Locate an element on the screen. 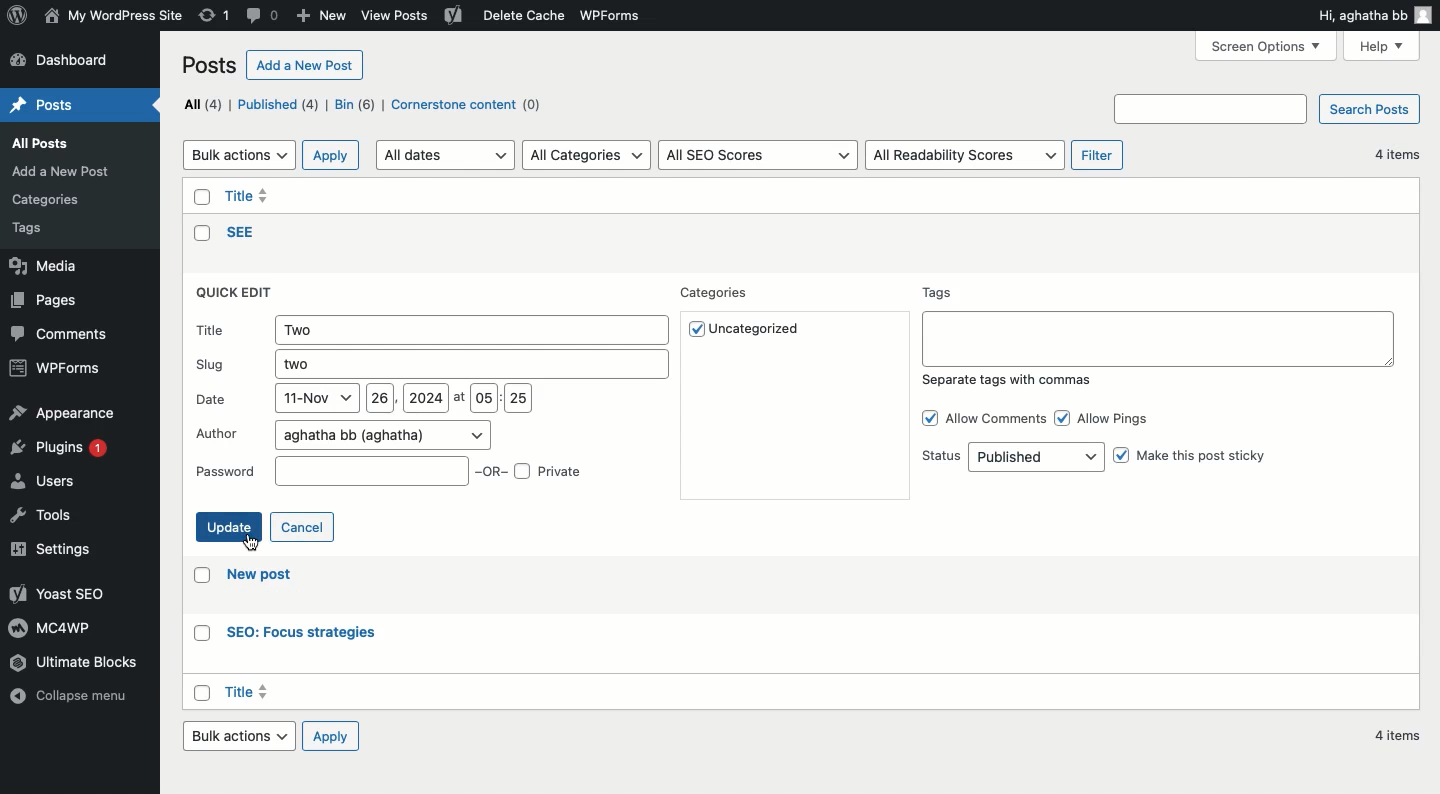  checkbox is located at coordinates (197, 634).